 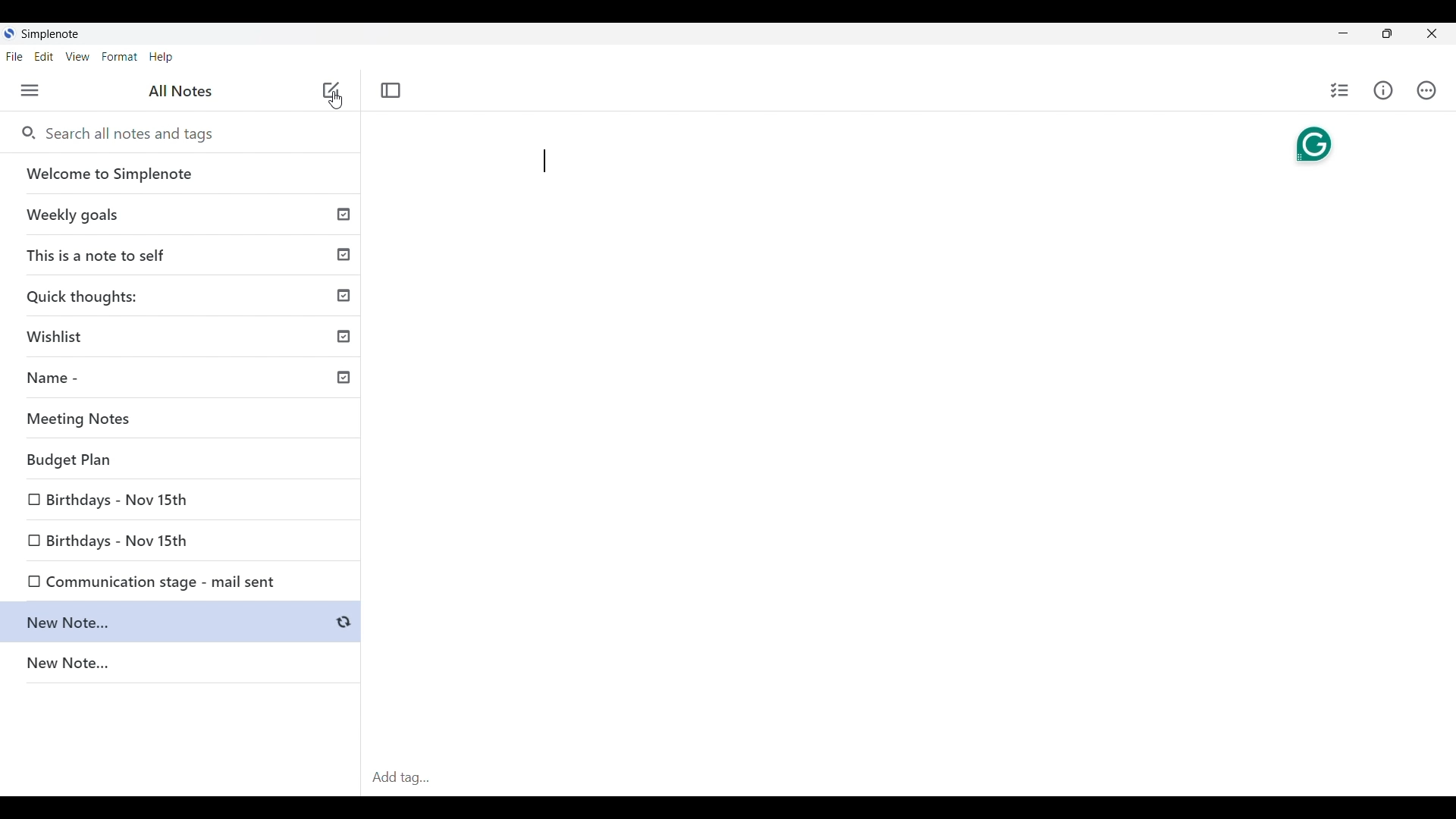 I want to click on Toggle focus mode, so click(x=390, y=90).